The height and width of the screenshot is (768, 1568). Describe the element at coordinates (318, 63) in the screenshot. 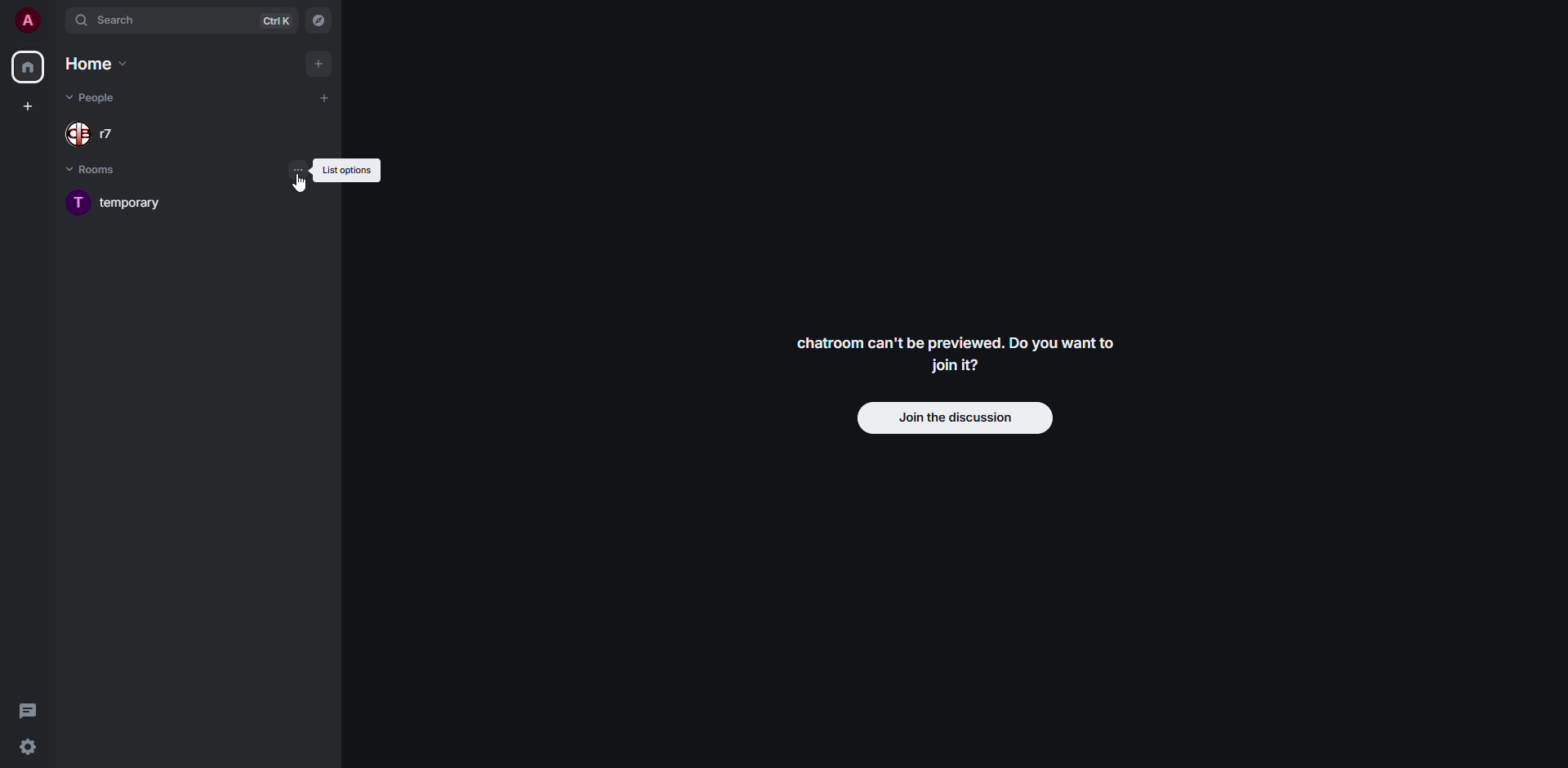

I see `add` at that location.